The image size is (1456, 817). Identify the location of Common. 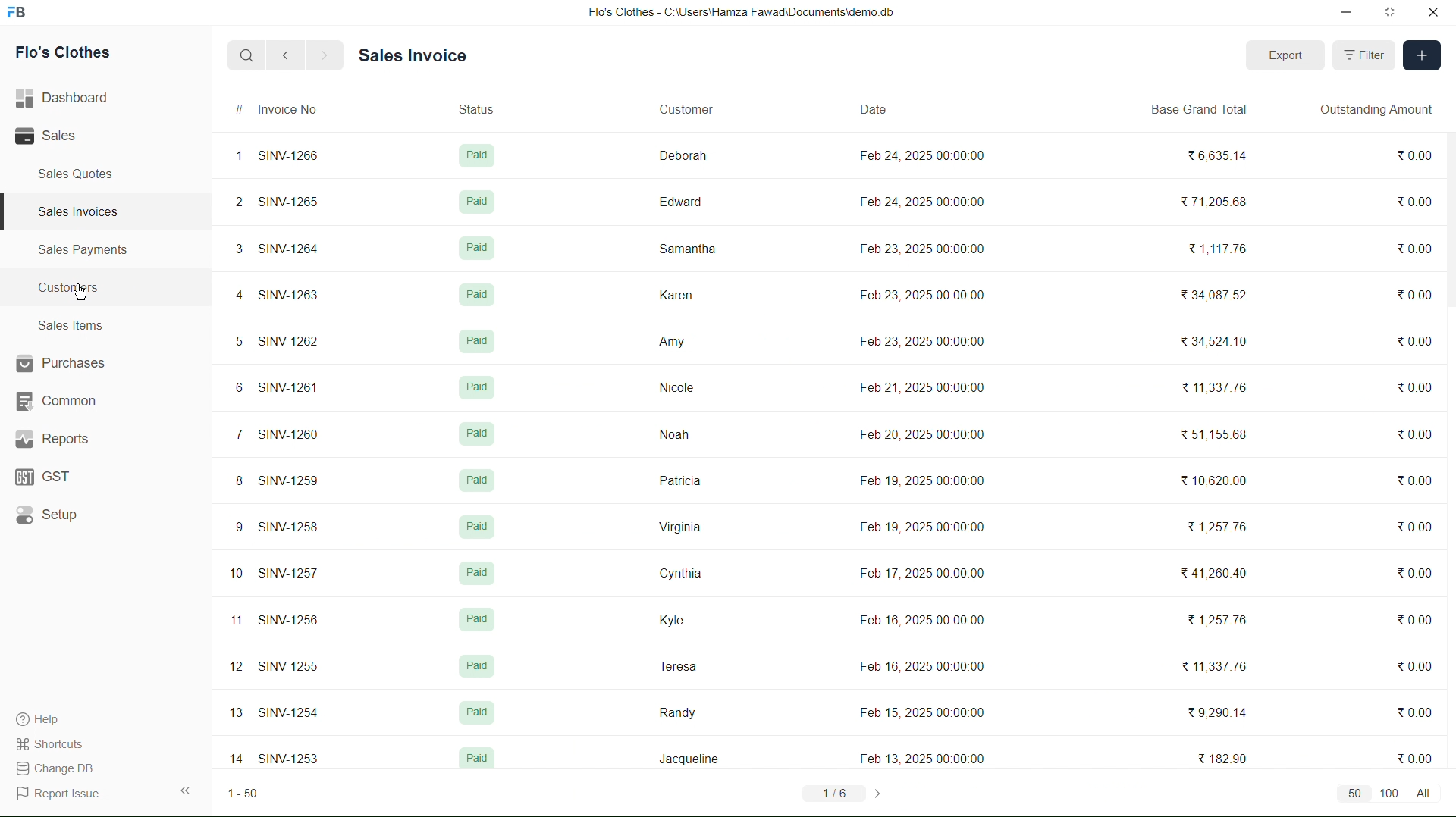
(56, 401).